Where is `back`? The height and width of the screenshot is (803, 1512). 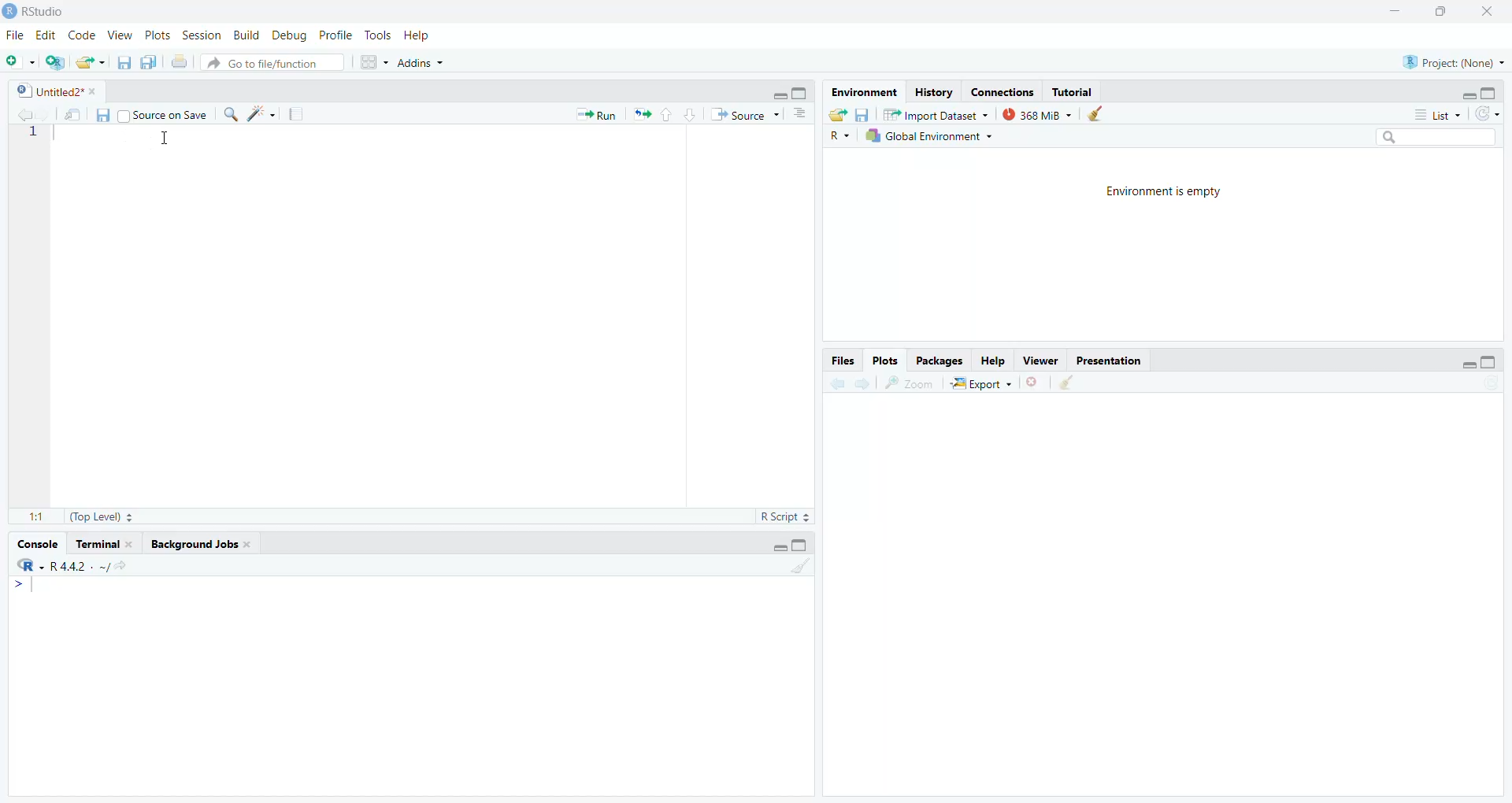
back is located at coordinates (25, 115).